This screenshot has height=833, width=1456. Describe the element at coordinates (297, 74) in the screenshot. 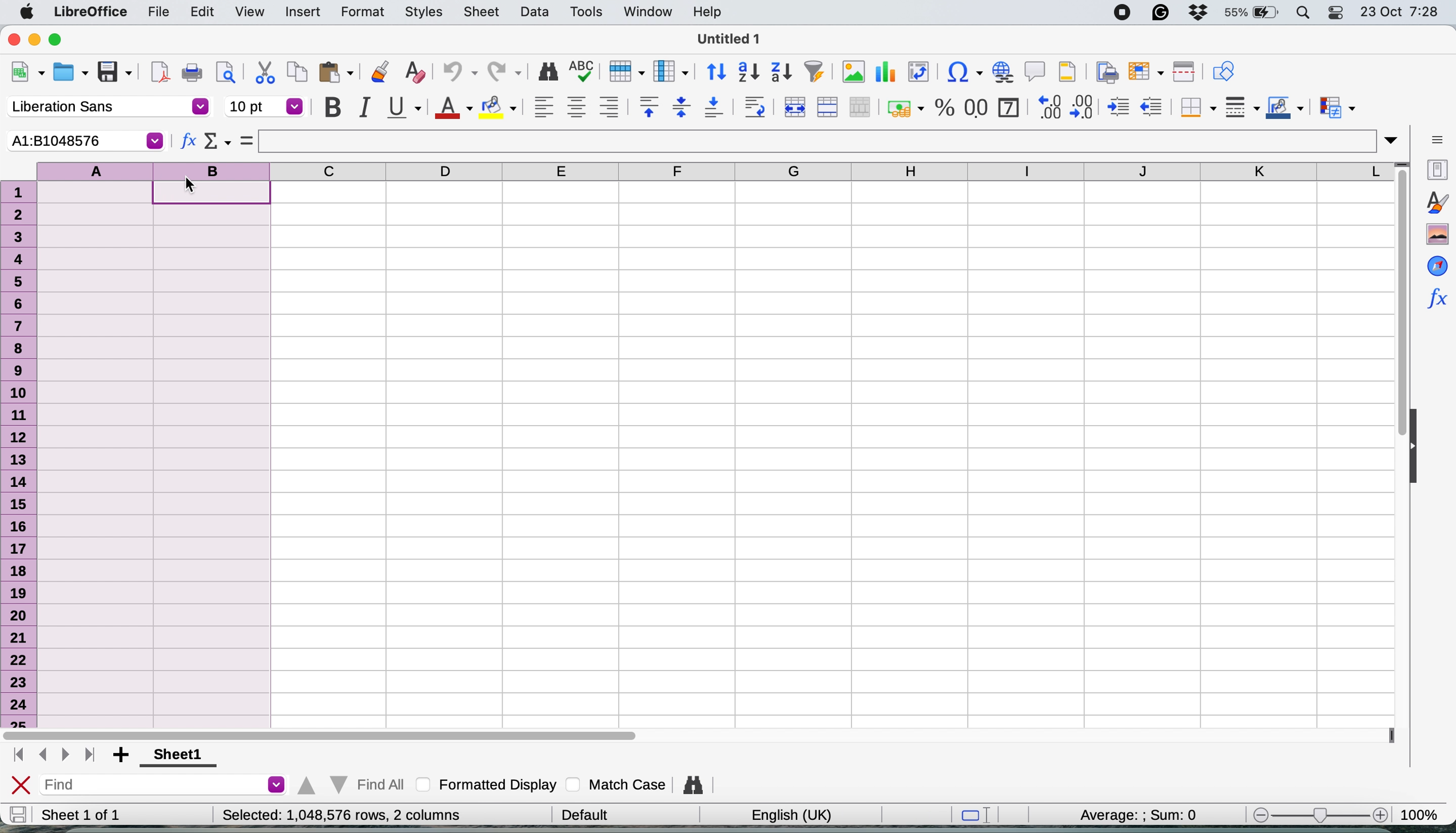

I see `copy` at that location.